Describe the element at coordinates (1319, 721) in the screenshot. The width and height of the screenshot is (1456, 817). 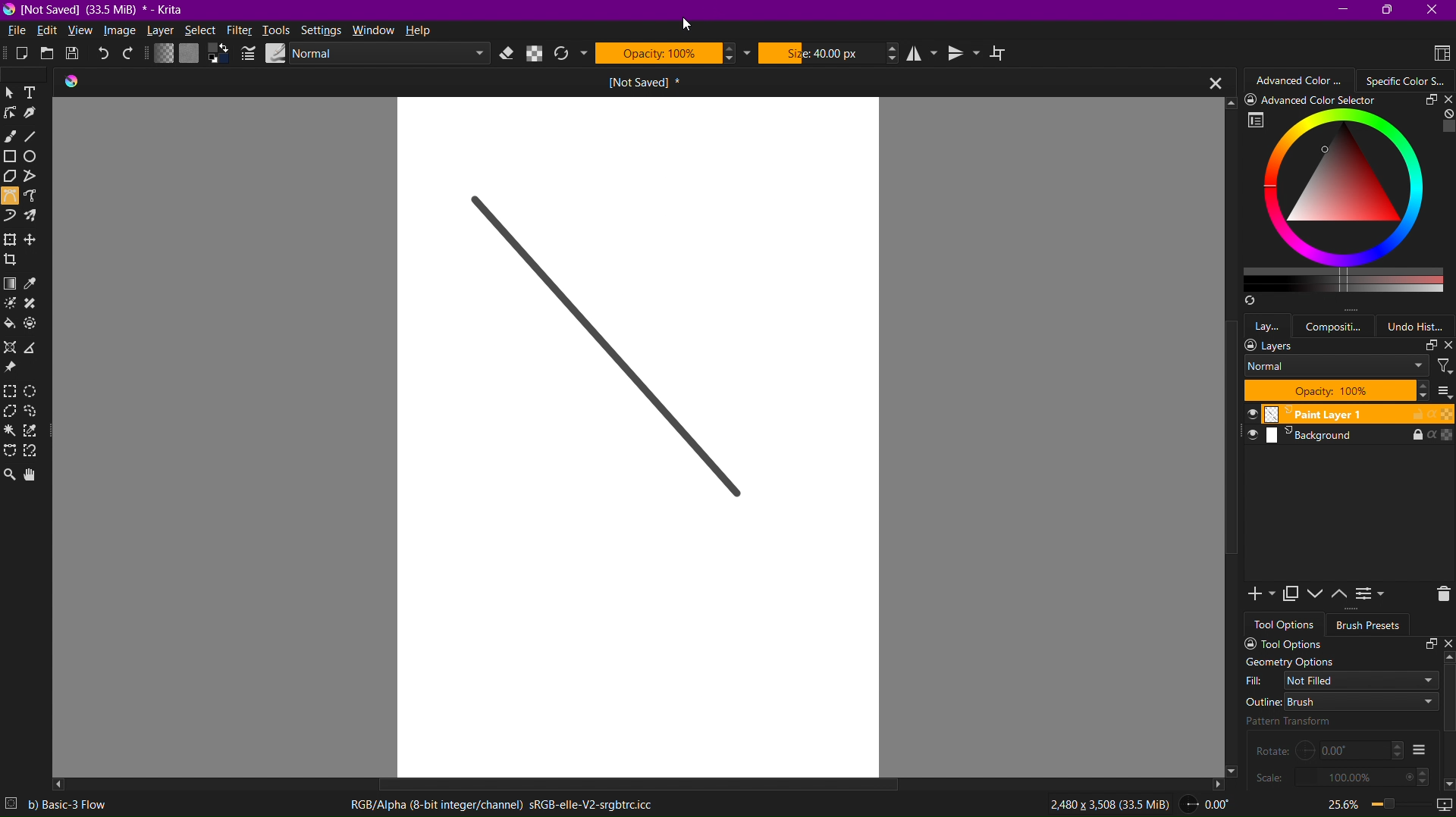
I see `Pattern Transform` at that location.